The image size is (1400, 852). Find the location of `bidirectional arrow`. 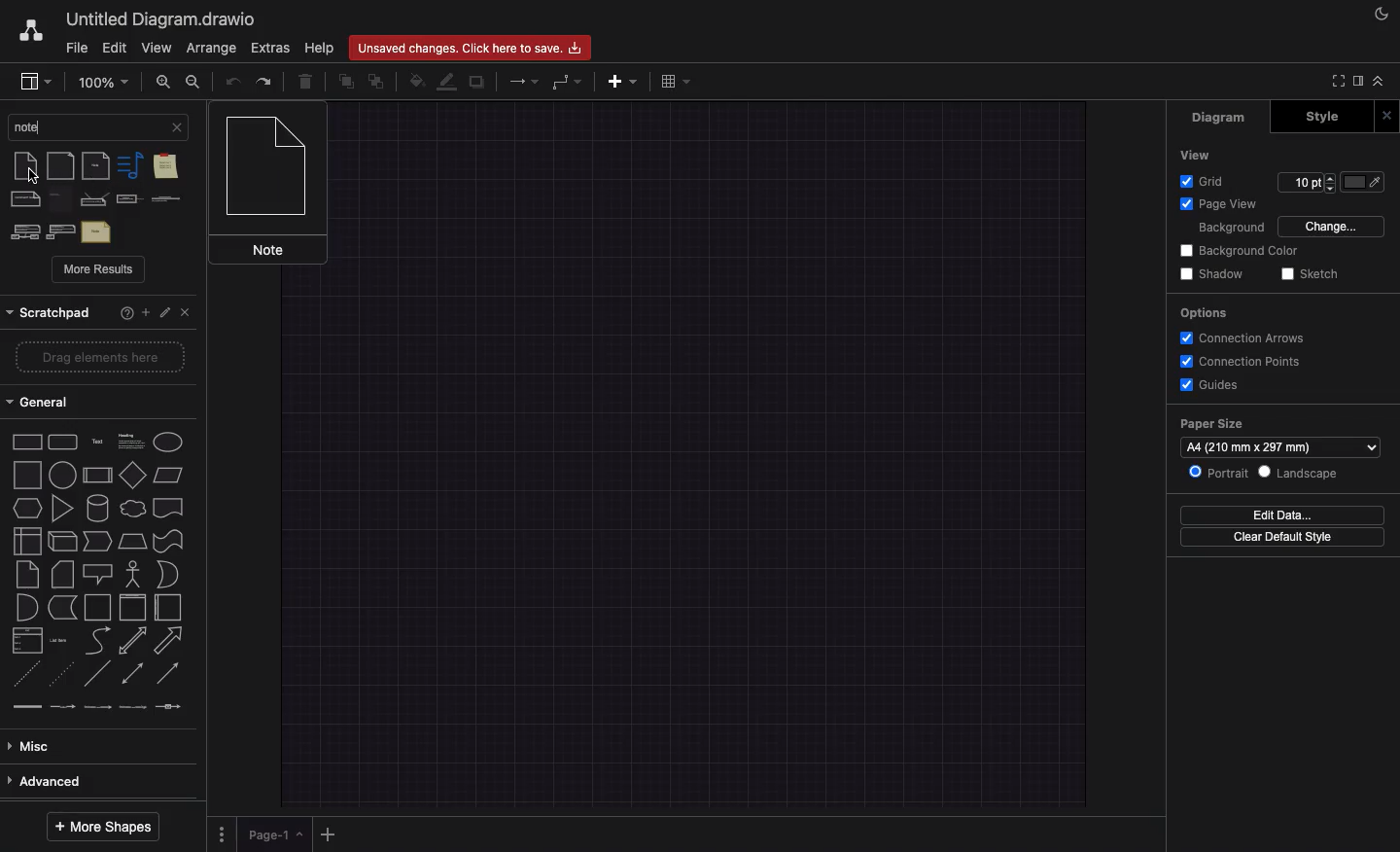

bidirectional arrow is located at coordinates (132, 640).